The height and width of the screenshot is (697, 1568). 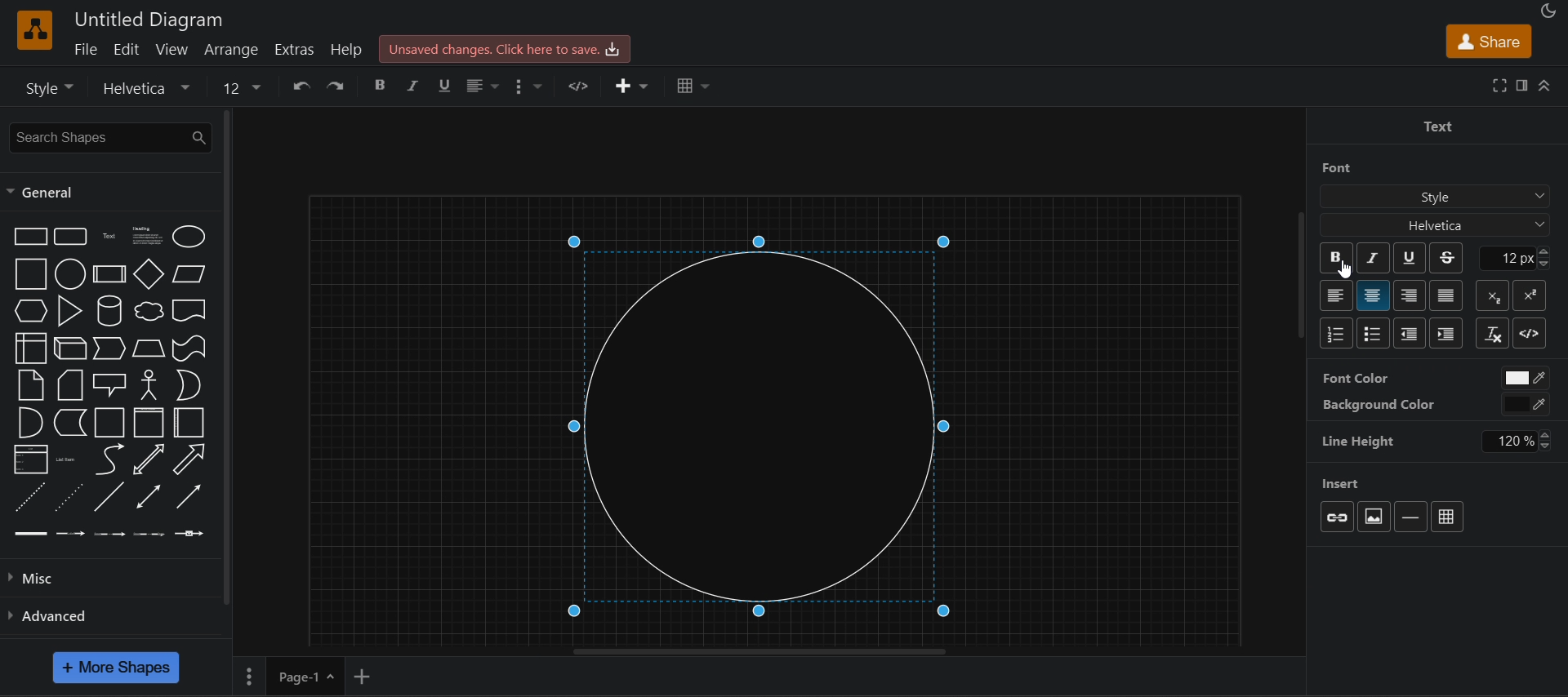 What do you see at coordinates (384, 86) in the screenshot?
I see `bold` at bounding box center [384, 86].